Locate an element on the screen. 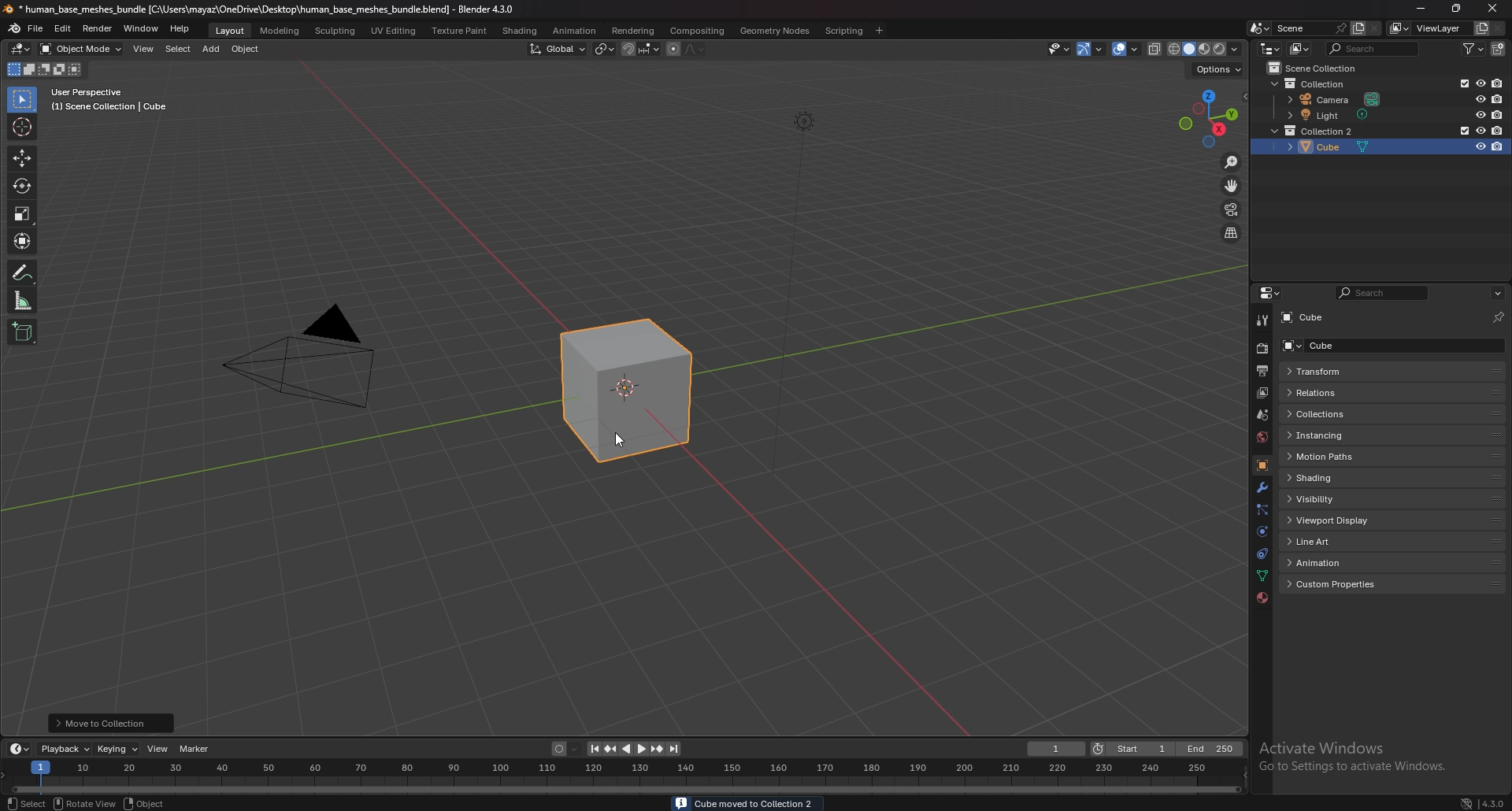 Image resolution: width=1512 pixels, height=811 pixels. toggle xray is located at coordinates (1155, 49).